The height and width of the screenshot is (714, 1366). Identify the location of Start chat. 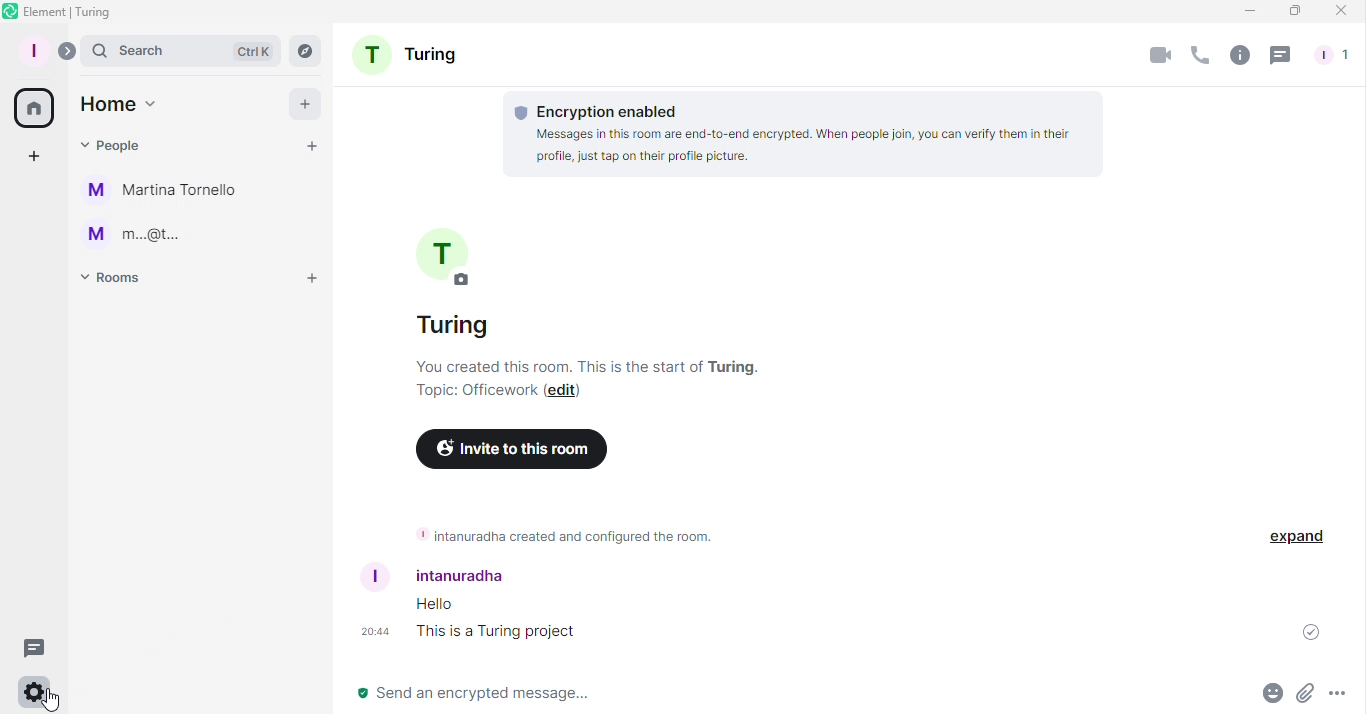
(313, 145).